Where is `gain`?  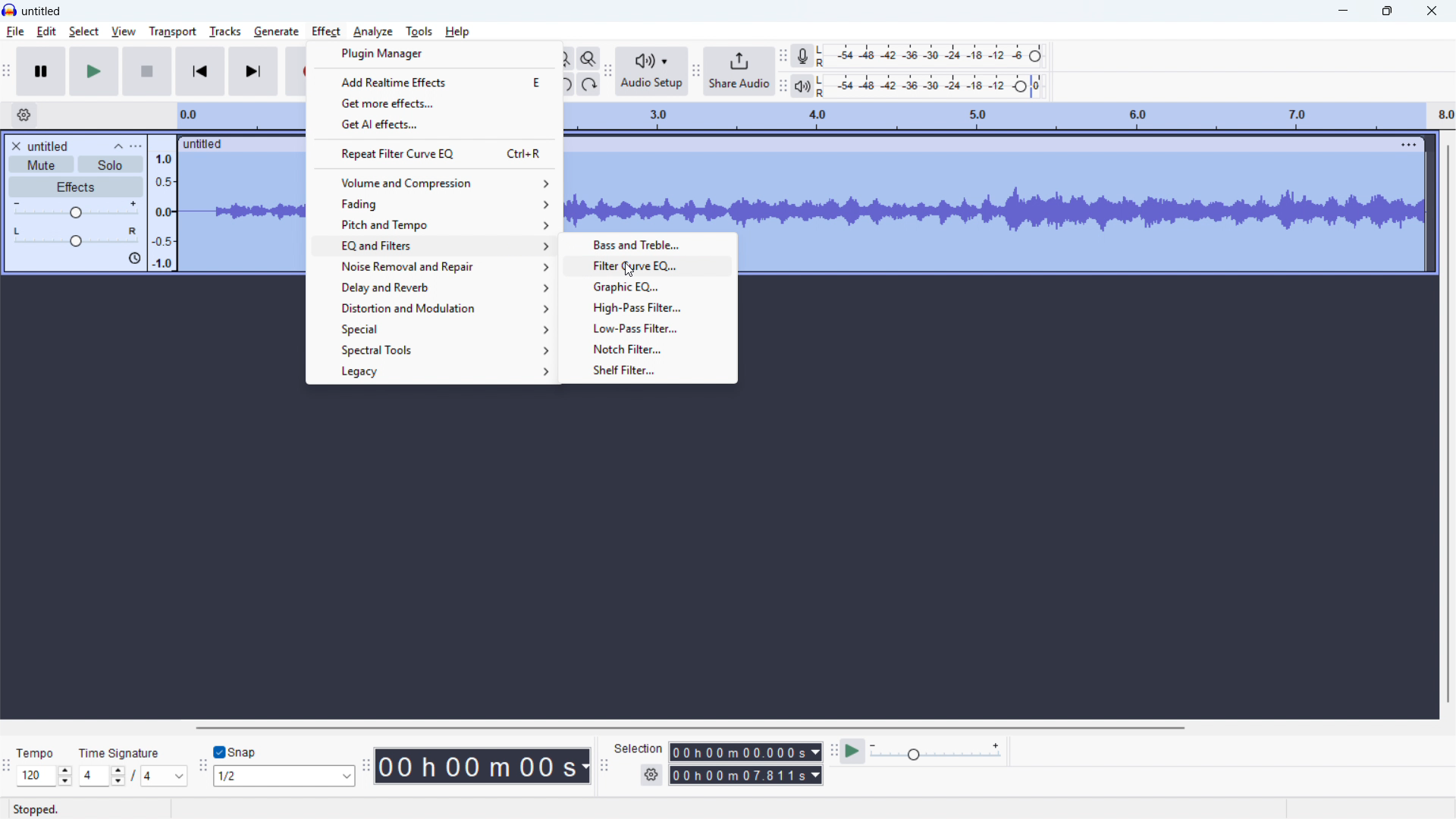 gain is located at coordinates (76, 210).